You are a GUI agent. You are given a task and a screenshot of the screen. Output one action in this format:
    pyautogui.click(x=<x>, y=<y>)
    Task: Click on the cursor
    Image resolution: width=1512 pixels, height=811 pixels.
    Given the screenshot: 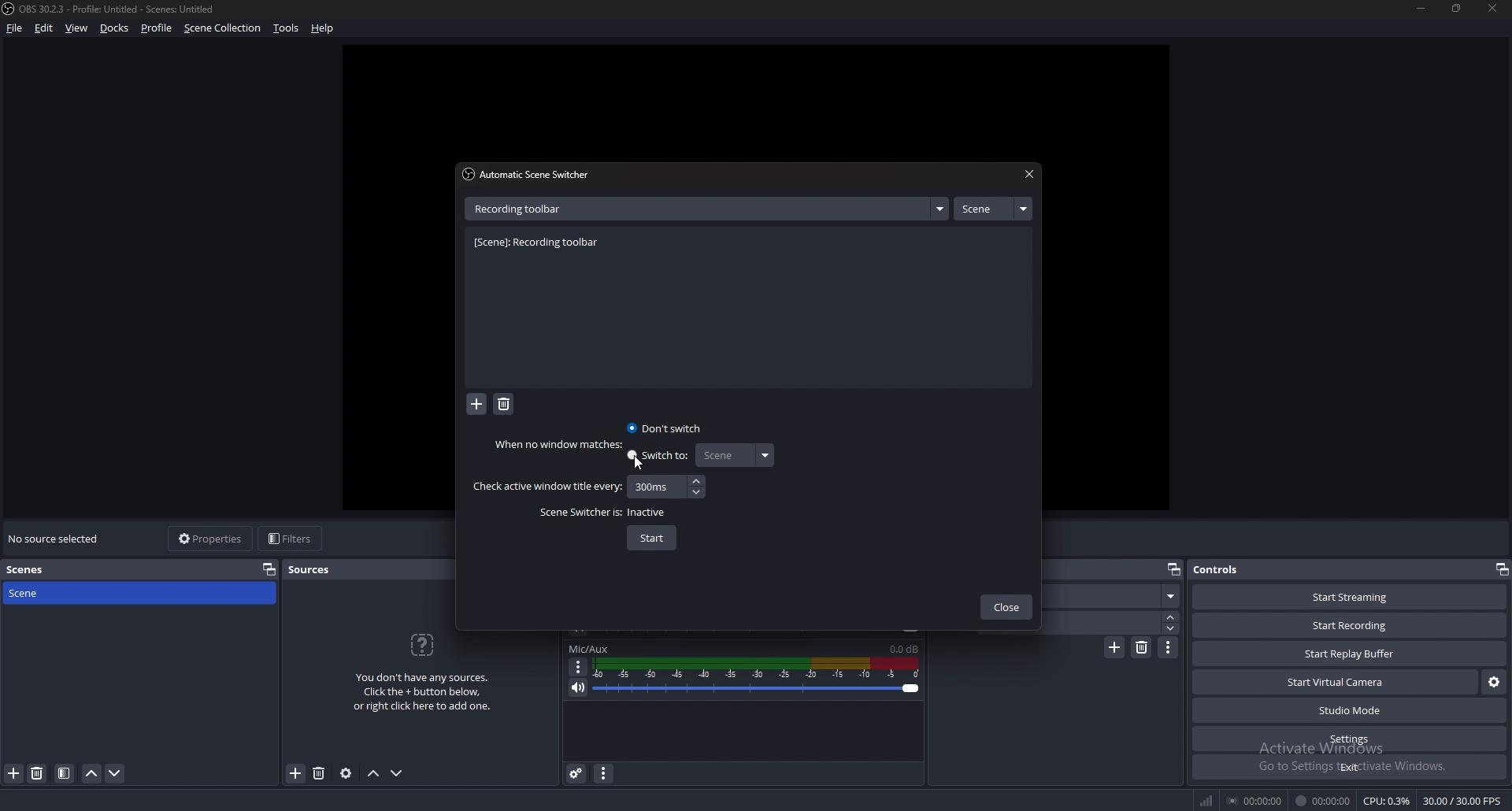 What is the action you would take?
    pyautogui.click(x=639, y=464)
    